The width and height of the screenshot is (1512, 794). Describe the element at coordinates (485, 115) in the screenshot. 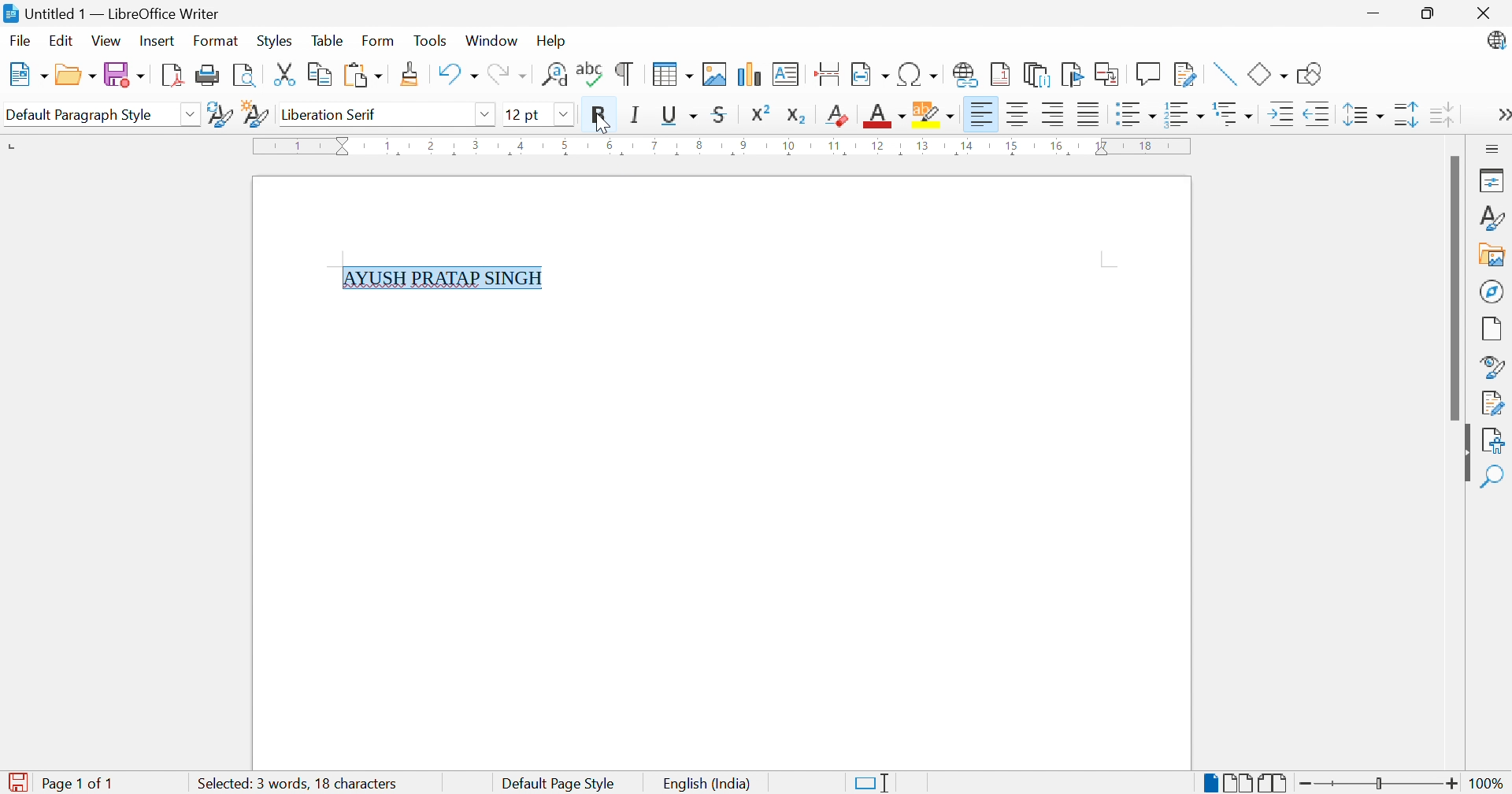

I see `Drop Down` at that location.